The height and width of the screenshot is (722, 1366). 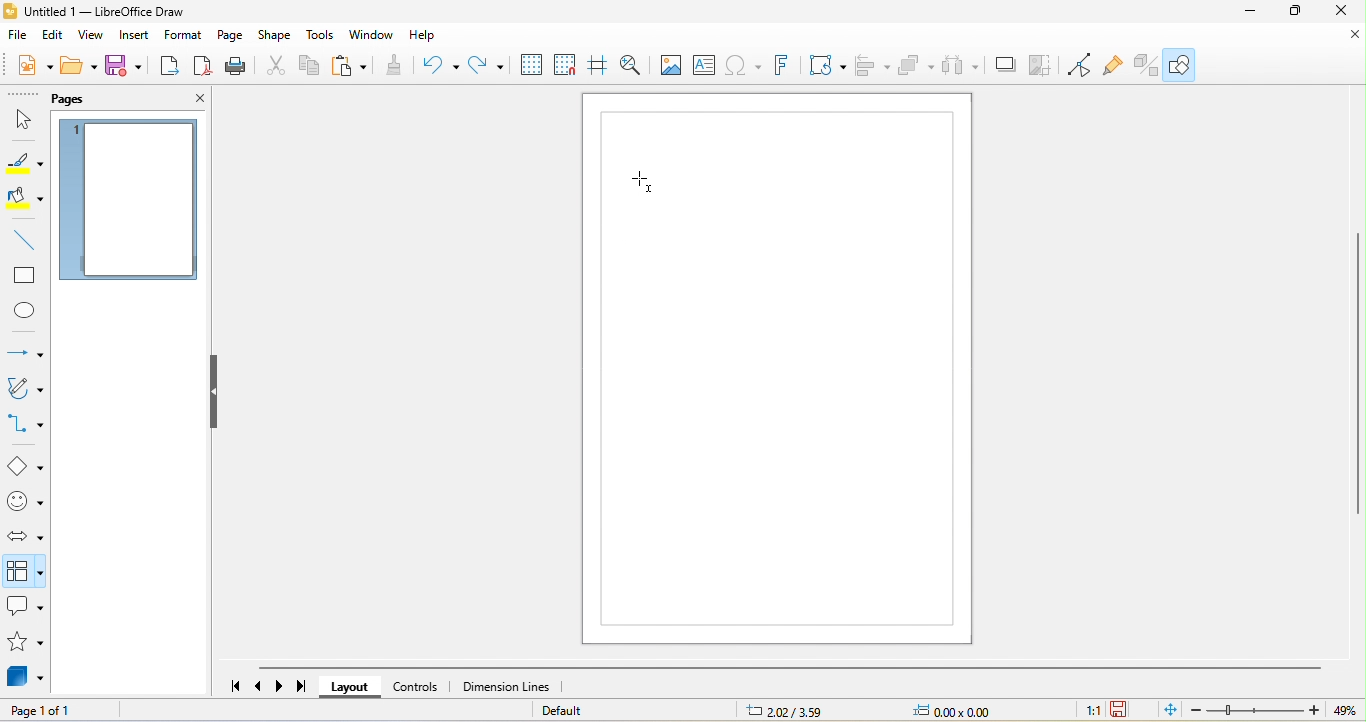 What do you see at coordinates (284, 685) in the screenshot?
I see `scroll to next page` at bounding box center [284, 685].